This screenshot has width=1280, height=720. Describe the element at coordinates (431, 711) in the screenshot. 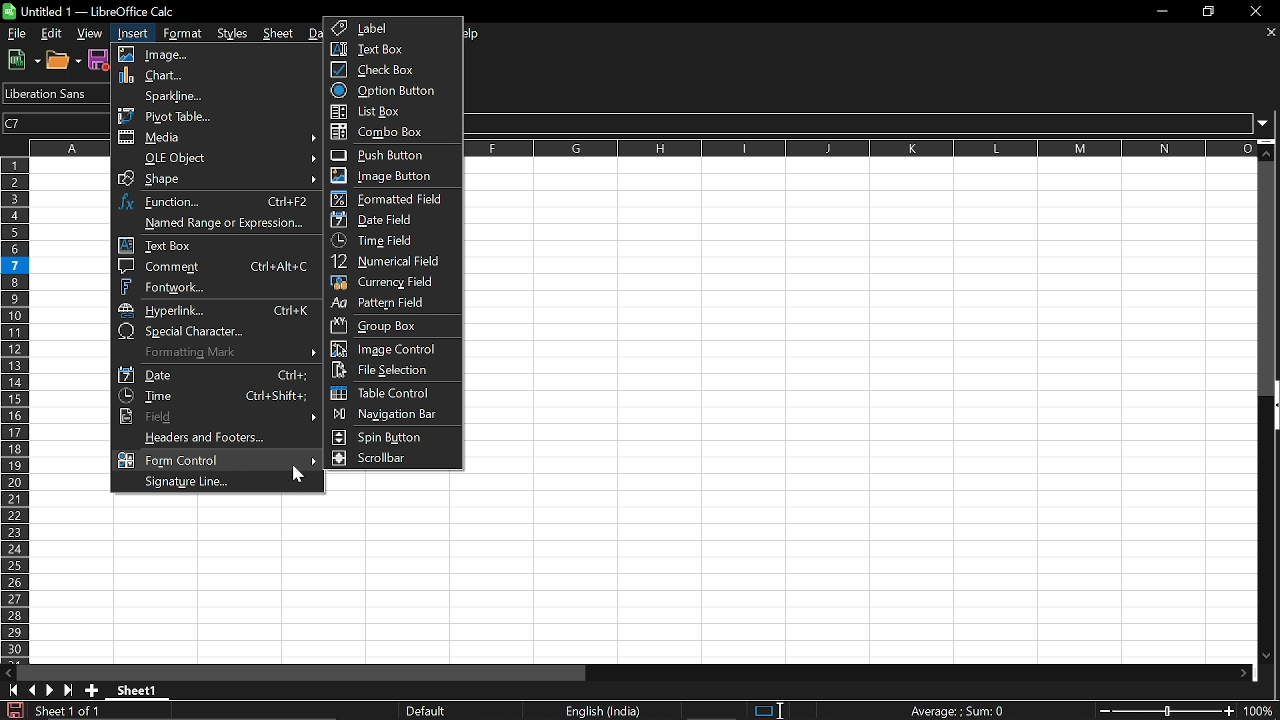

I see `Default` at that location.